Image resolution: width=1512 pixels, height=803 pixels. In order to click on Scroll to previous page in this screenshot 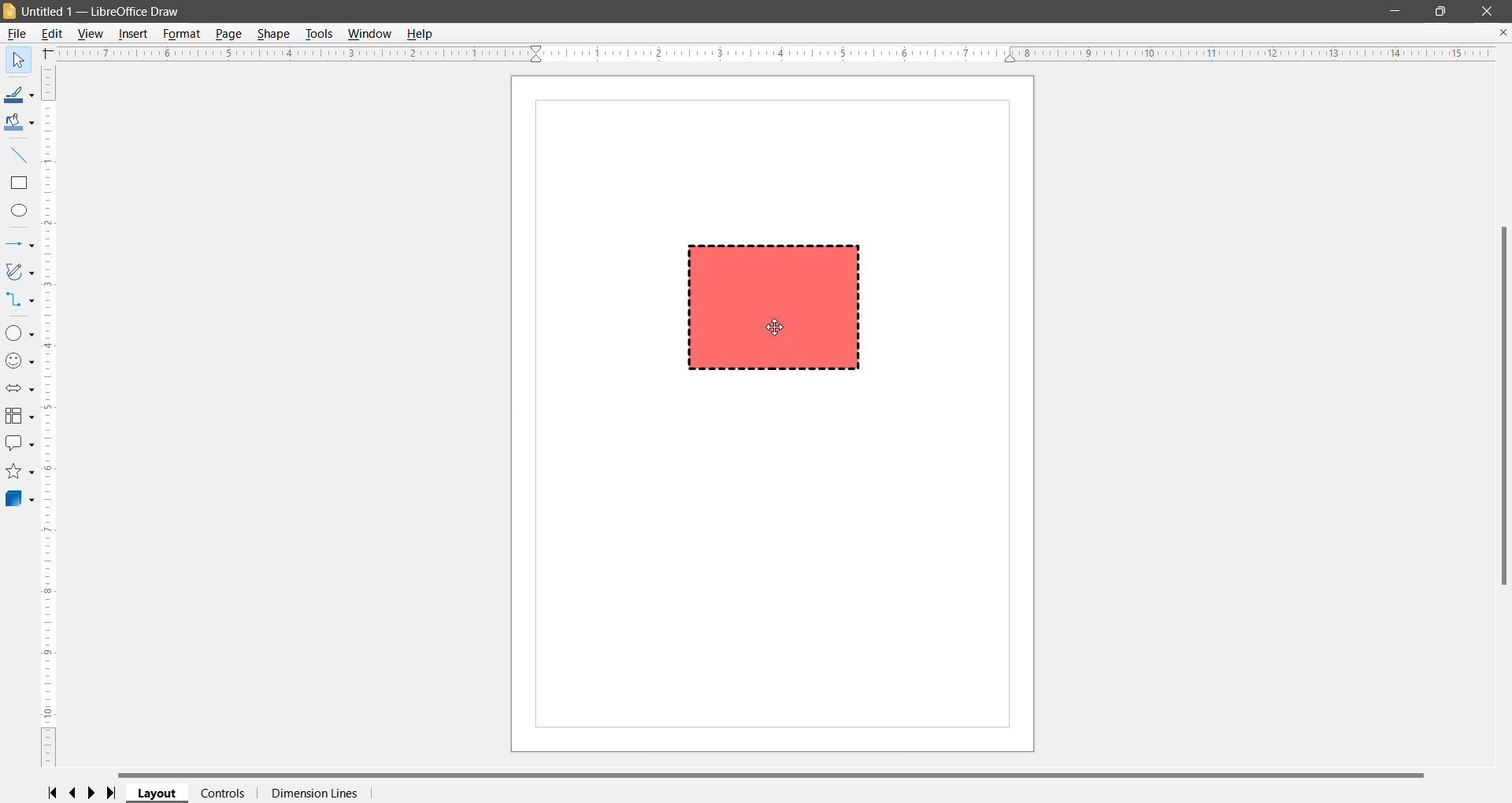, I will do `click(74, 794)`.